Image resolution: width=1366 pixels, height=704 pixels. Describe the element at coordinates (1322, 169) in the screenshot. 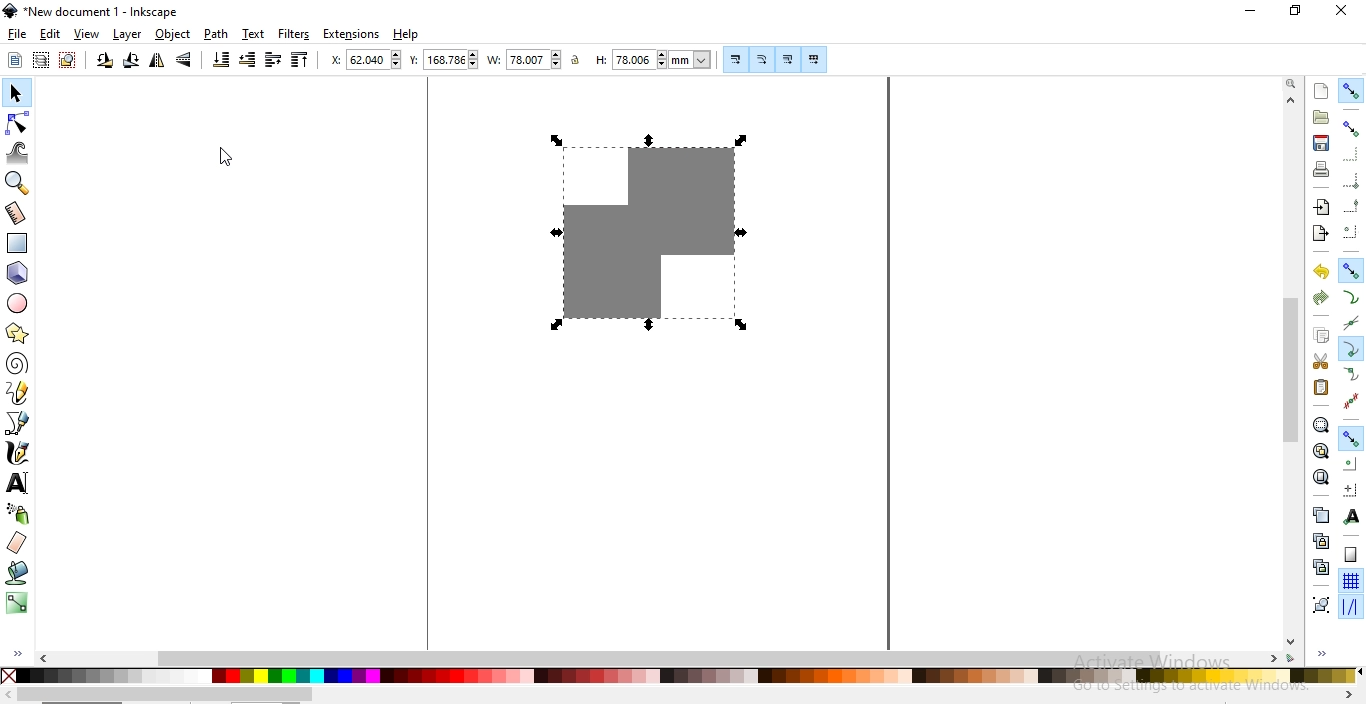

I see `print document` at that location.